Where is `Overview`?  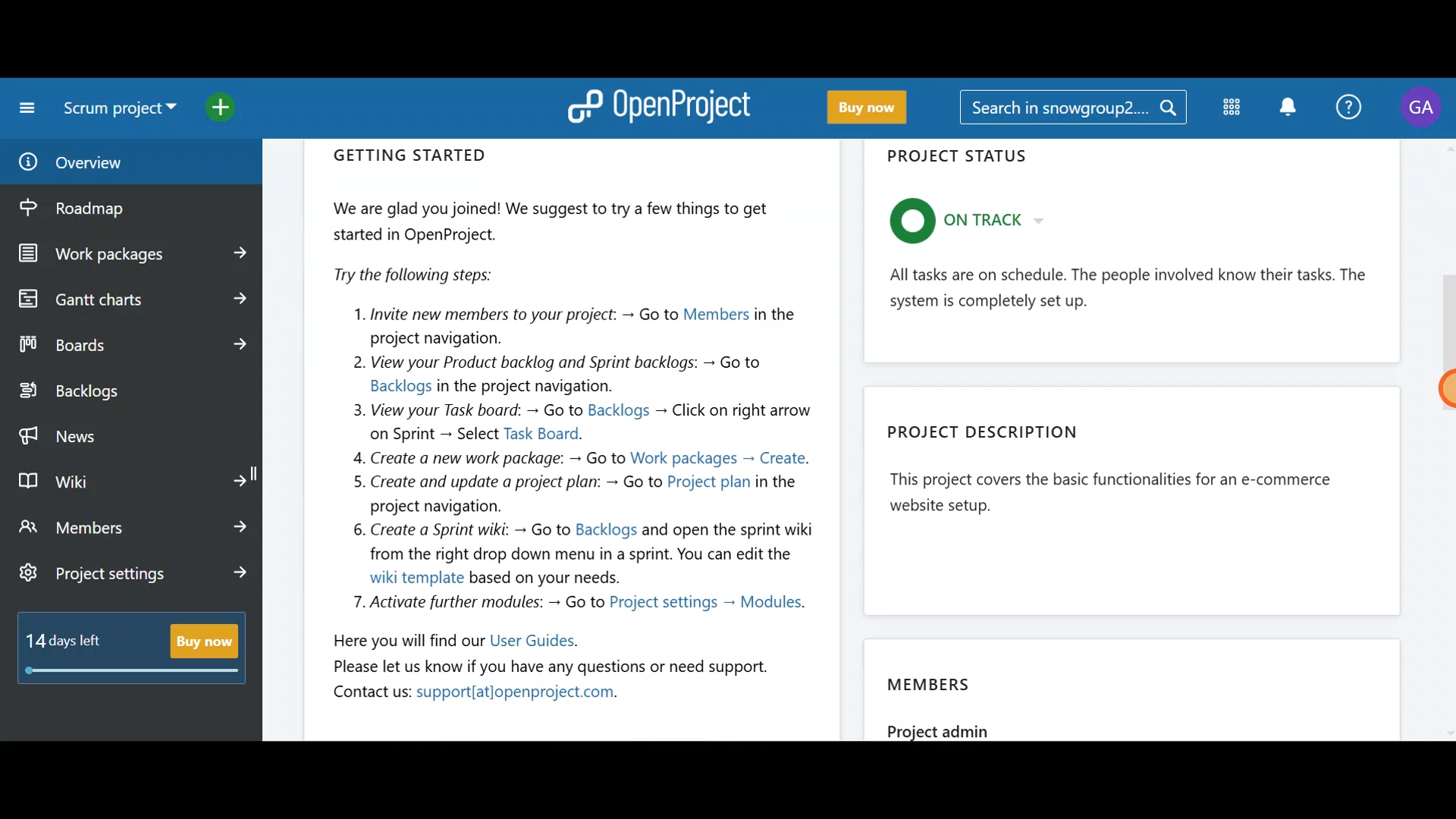
Overview is located at coordinates (112, 162).